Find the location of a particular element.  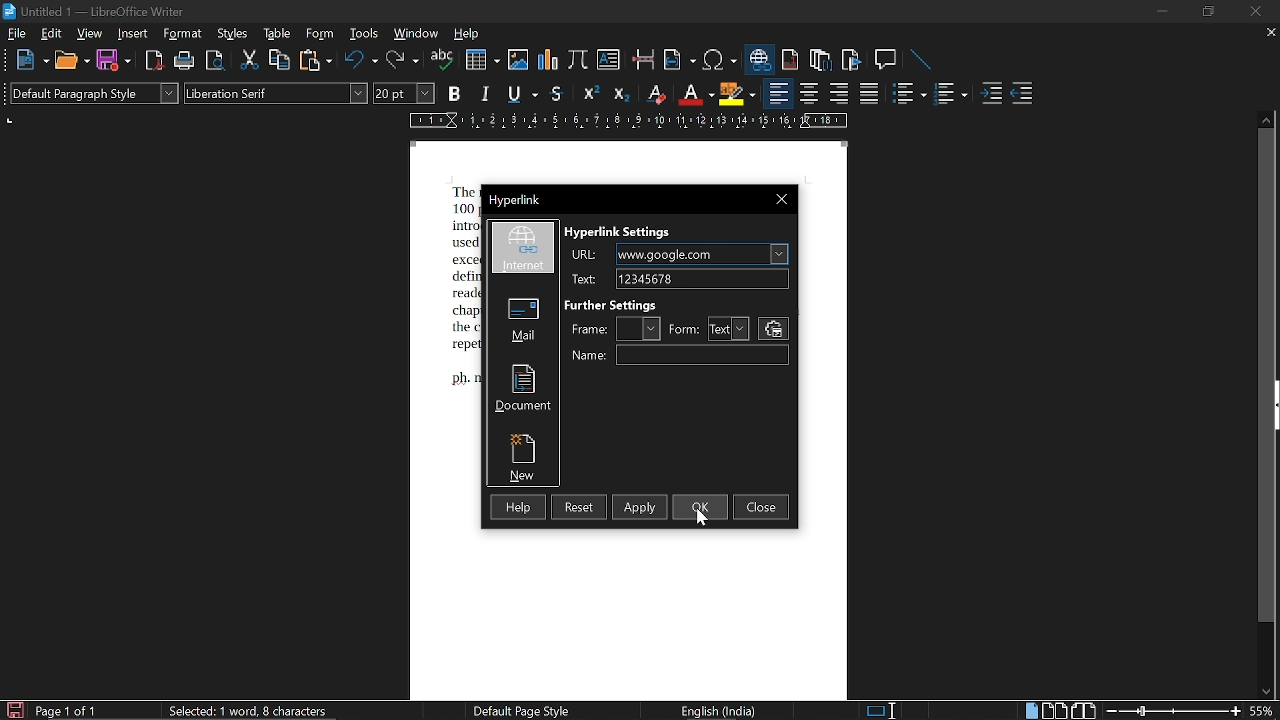

restore down is located at coordinates (1207, 12).